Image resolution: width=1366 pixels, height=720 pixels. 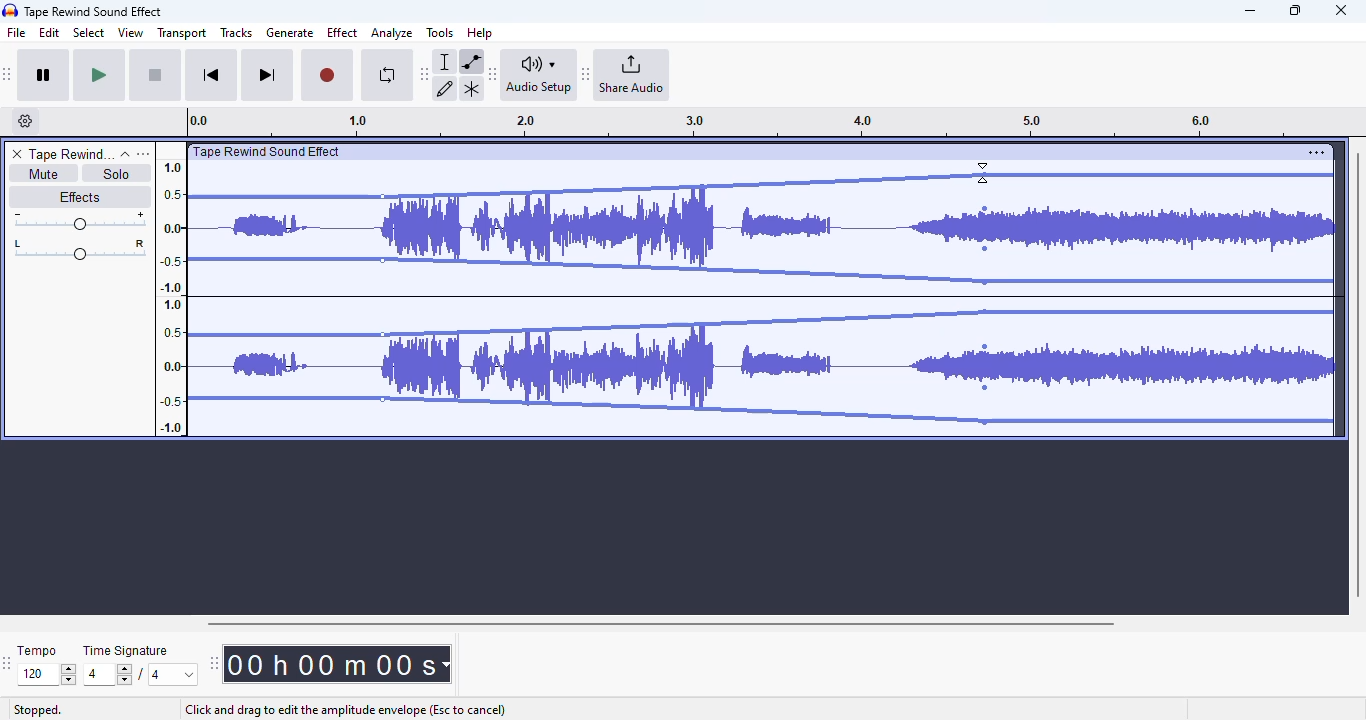 I want to click on Move audacity tools toolbar, so click(x=425, y=73).